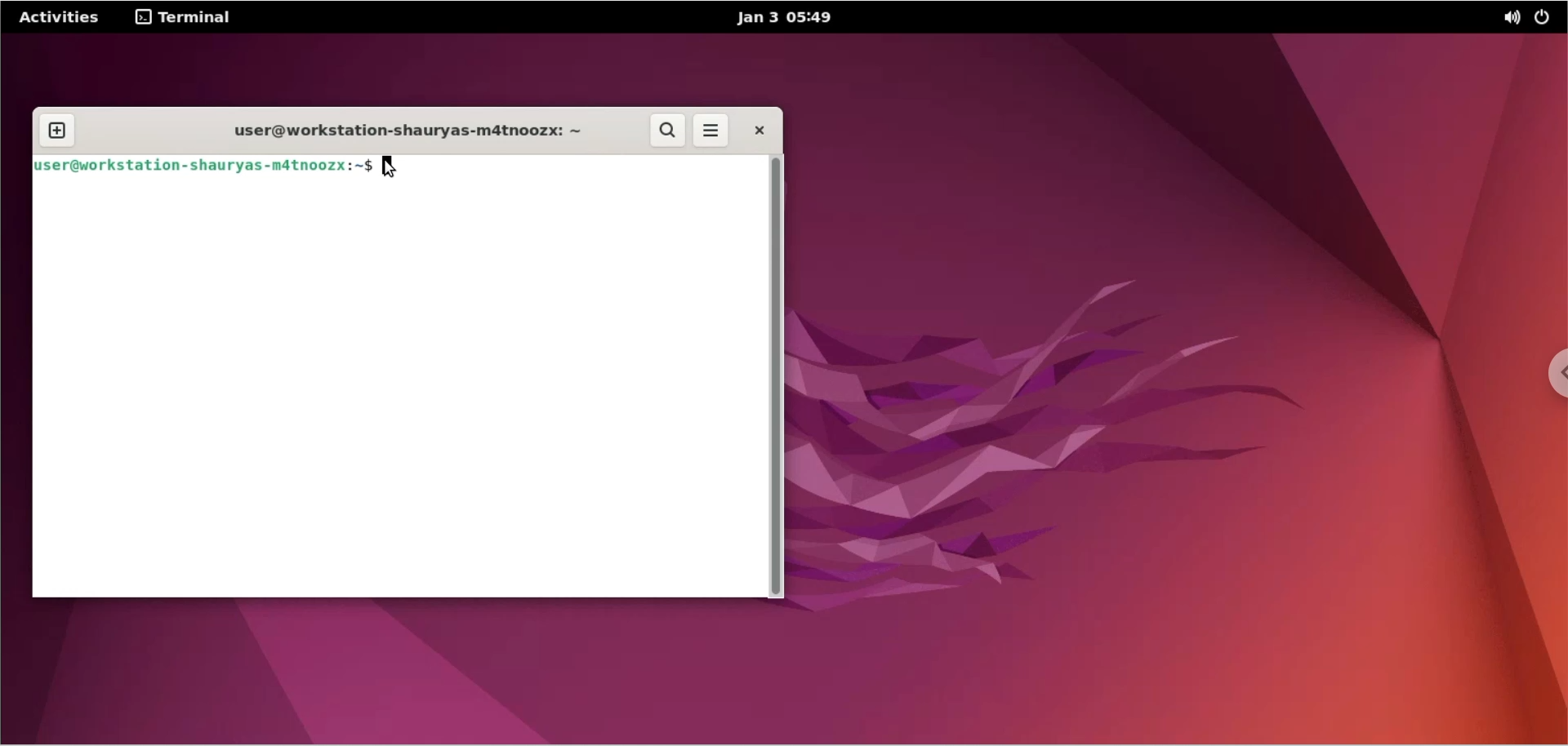 The width and height of the screenshot is (1568, 746). Describe the element at coordinates (398, 389) in the screenshot. I see `command input box` at that location.